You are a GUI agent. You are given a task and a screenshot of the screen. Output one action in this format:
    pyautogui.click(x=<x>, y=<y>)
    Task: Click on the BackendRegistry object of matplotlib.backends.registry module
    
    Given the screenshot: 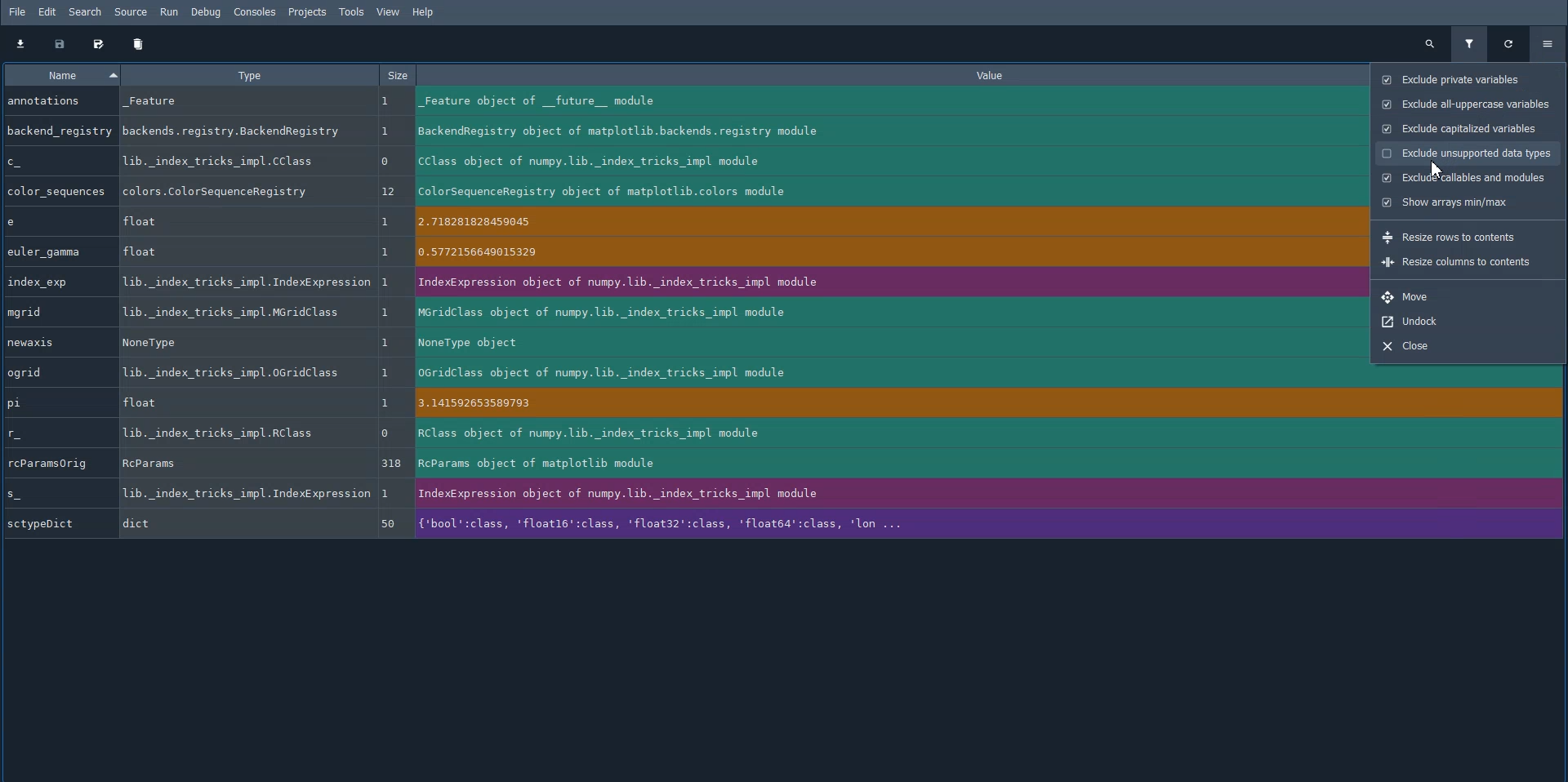 What is the action you would take?
    pyautogui.click(x=869, y=131)
    